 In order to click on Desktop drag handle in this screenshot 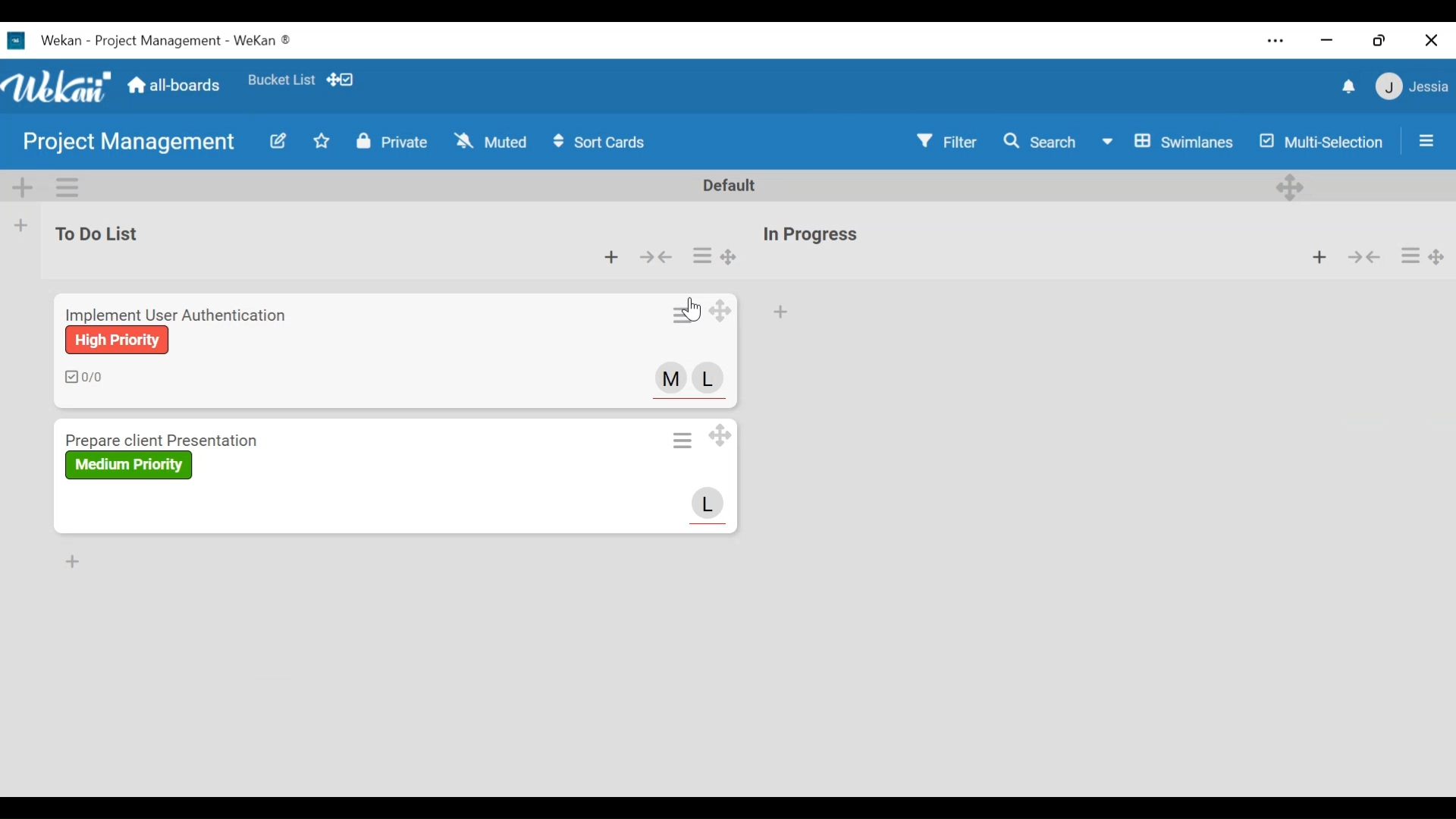, I will do `click(723, 435)`.